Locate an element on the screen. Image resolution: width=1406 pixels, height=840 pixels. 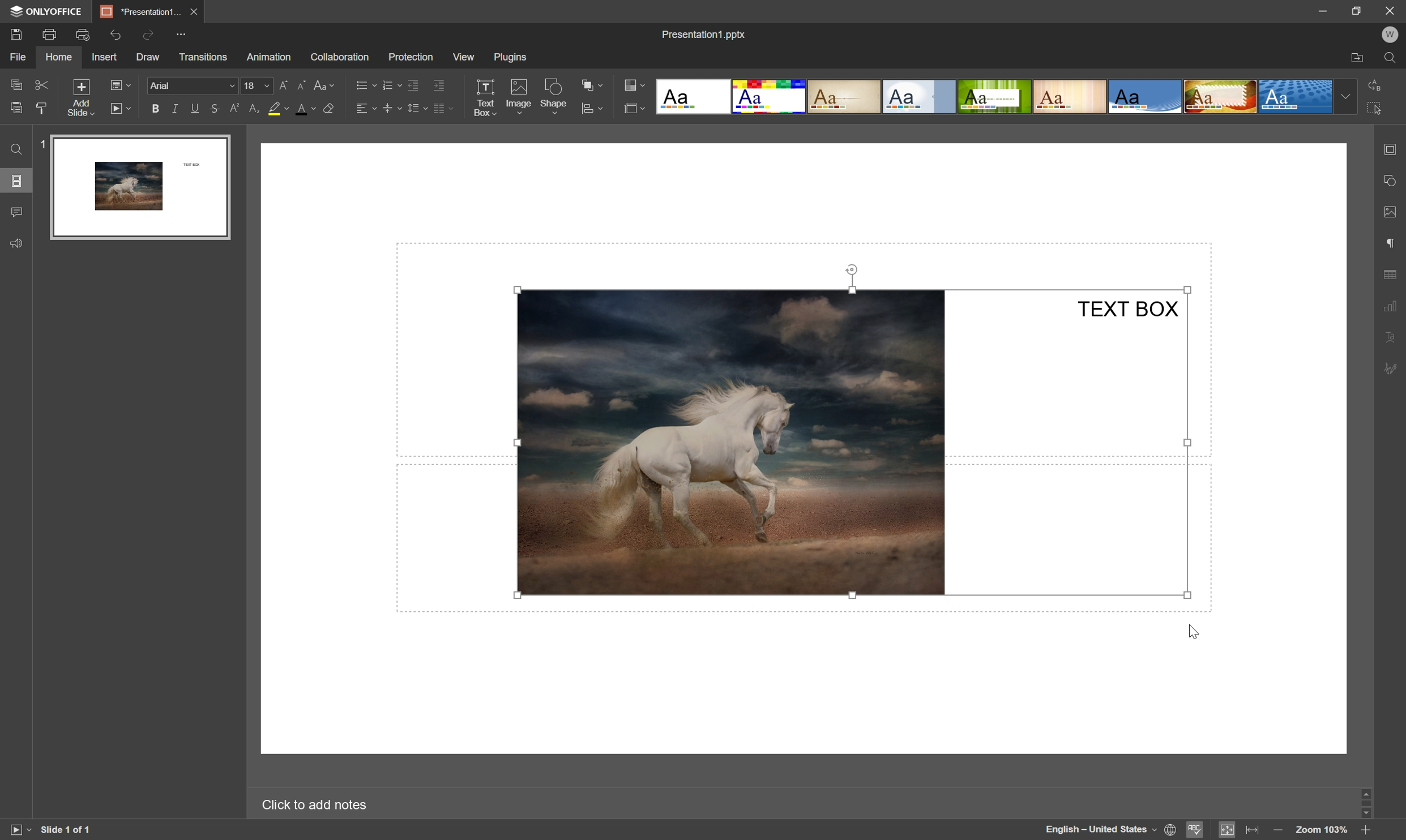
zoom 100% is located at coordinates (1322, 831).